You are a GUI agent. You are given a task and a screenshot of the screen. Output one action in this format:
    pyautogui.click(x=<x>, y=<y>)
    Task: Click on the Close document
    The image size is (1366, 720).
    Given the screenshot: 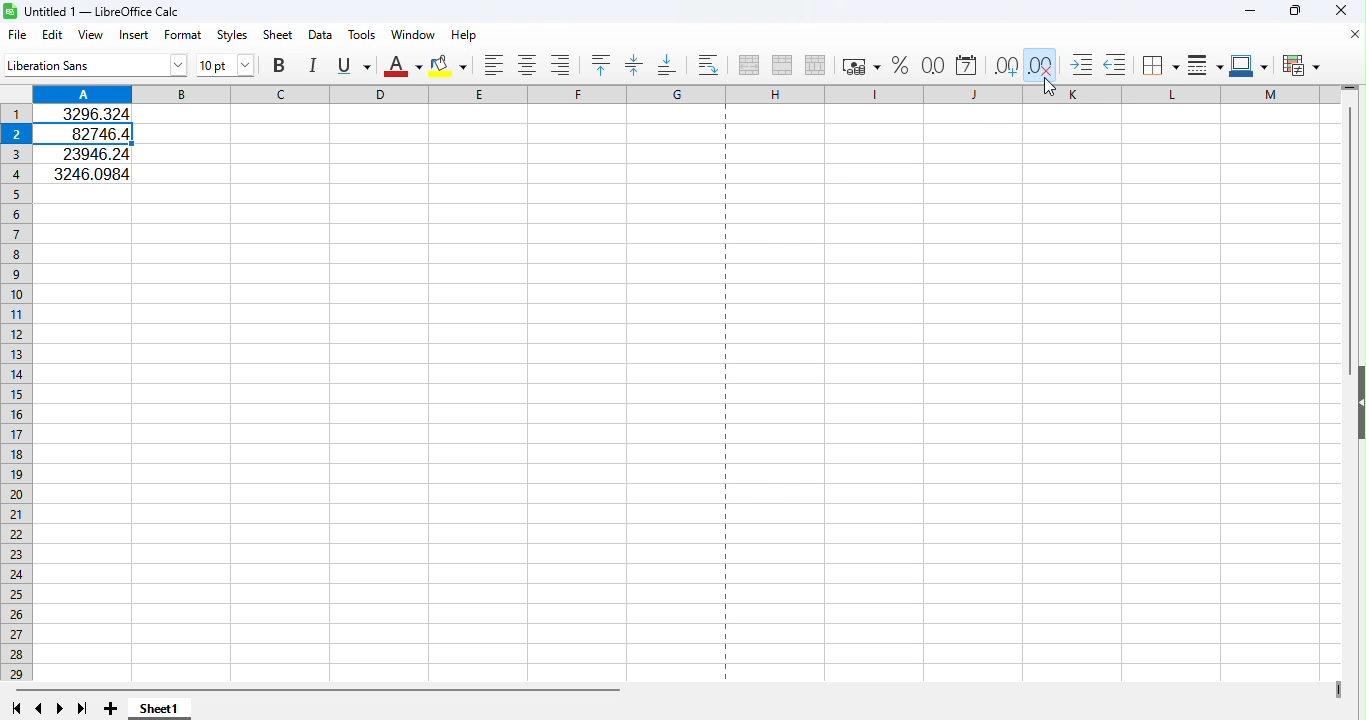 What is the action you would take?
    pyautogui.click(x=1355, y=36)
    